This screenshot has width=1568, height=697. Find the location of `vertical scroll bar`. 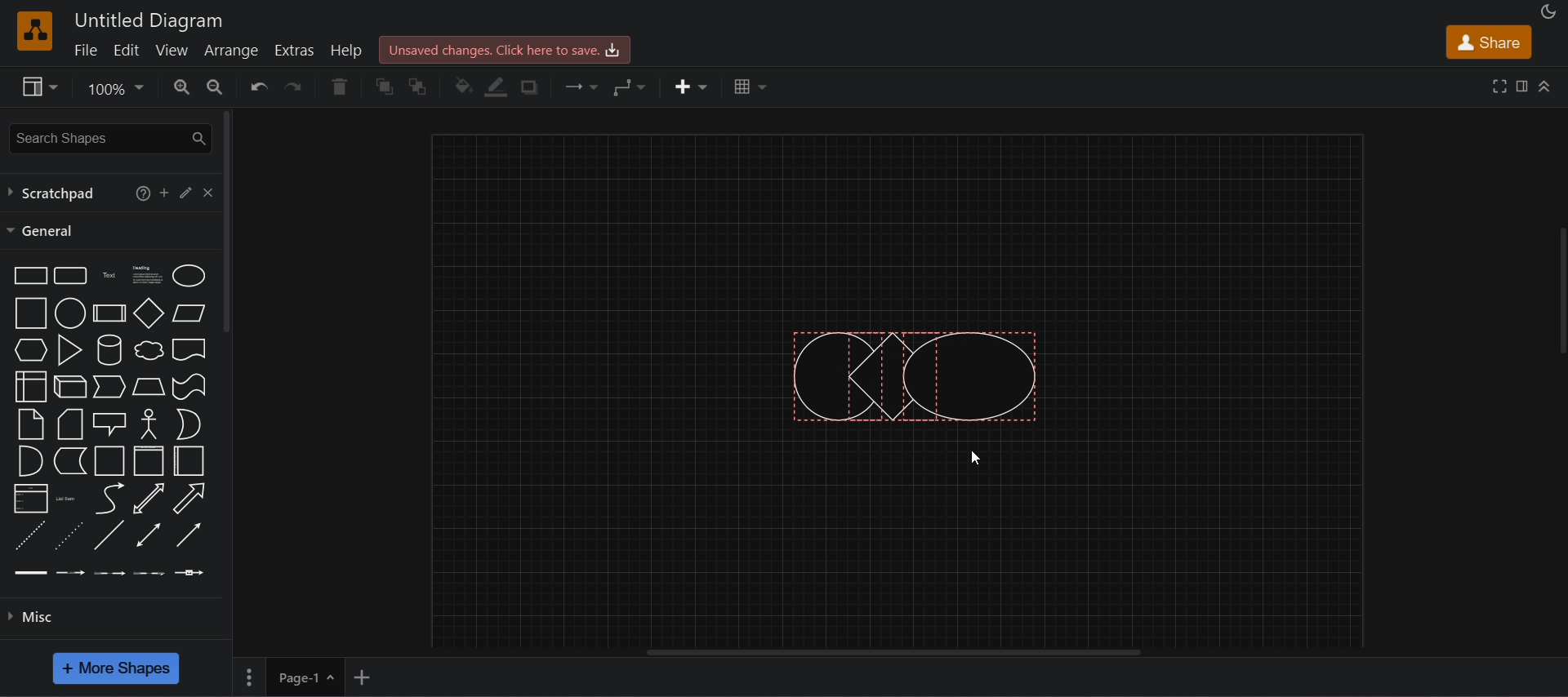

vertical scroll bar is located at coordinates (228, 222).